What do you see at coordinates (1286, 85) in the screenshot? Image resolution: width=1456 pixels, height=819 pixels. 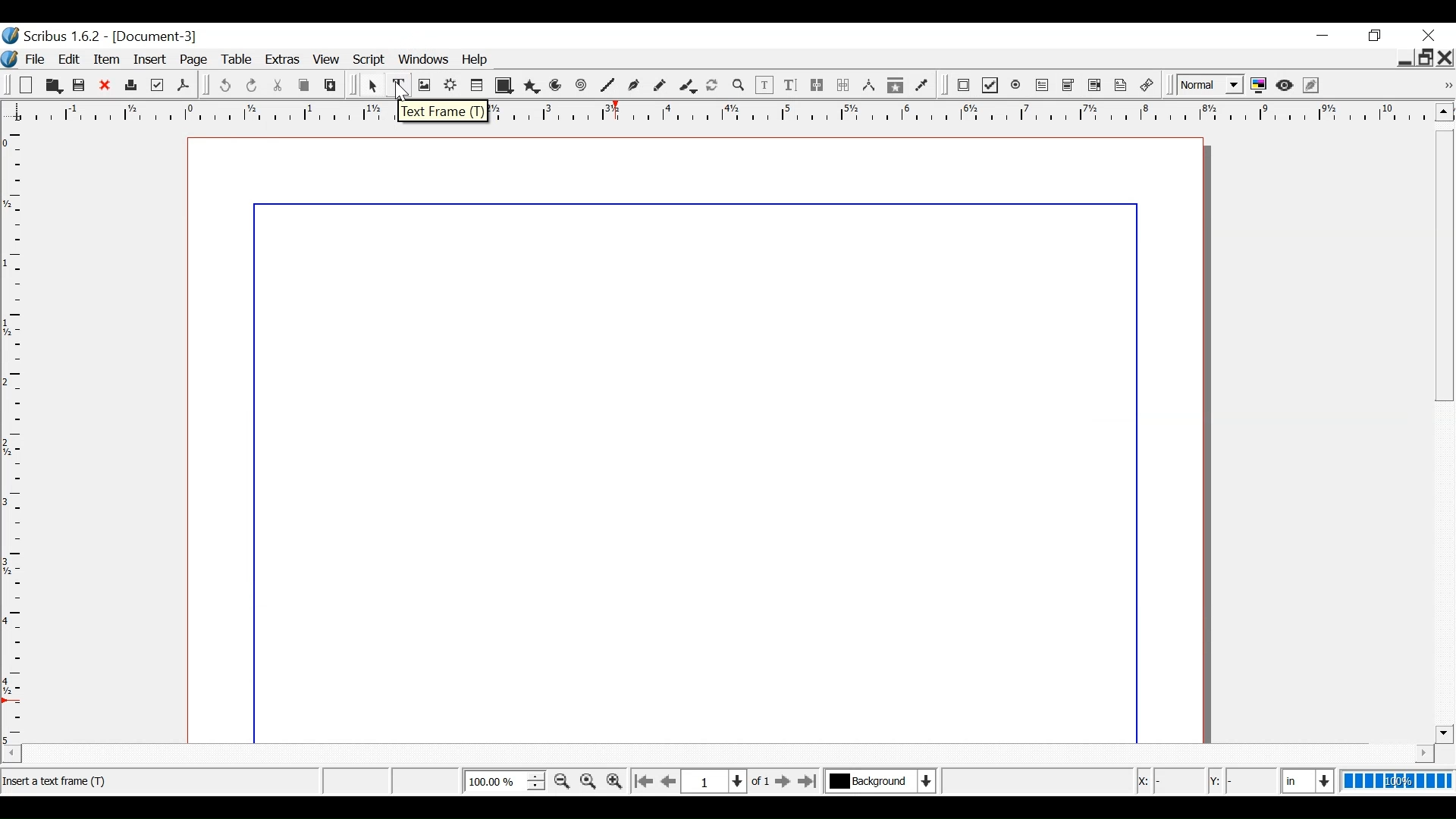 I see `Preview mode` at bounding box center [1286, 85].